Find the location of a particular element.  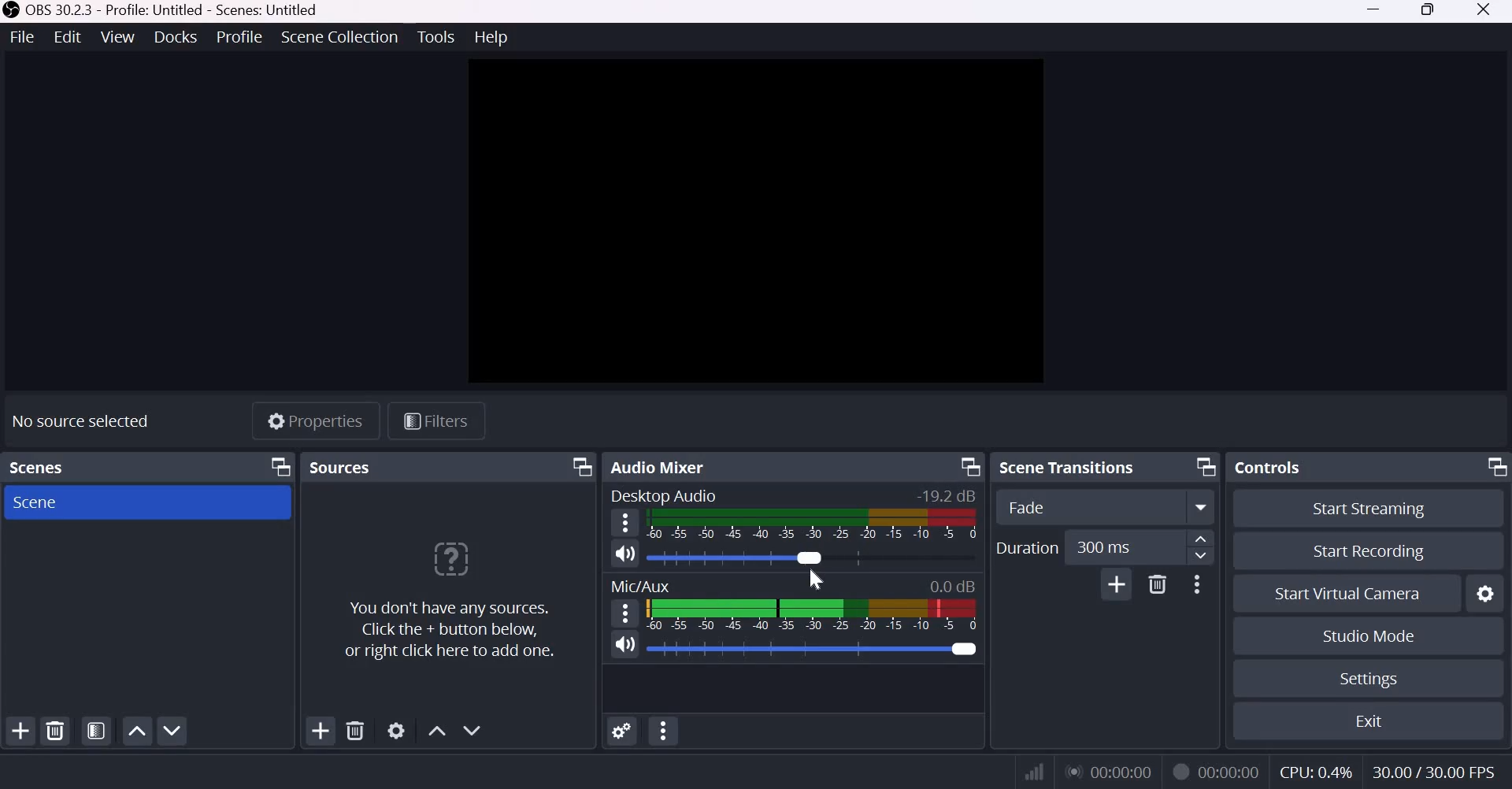

Move source(s) up is located at coordinates (437, 731).